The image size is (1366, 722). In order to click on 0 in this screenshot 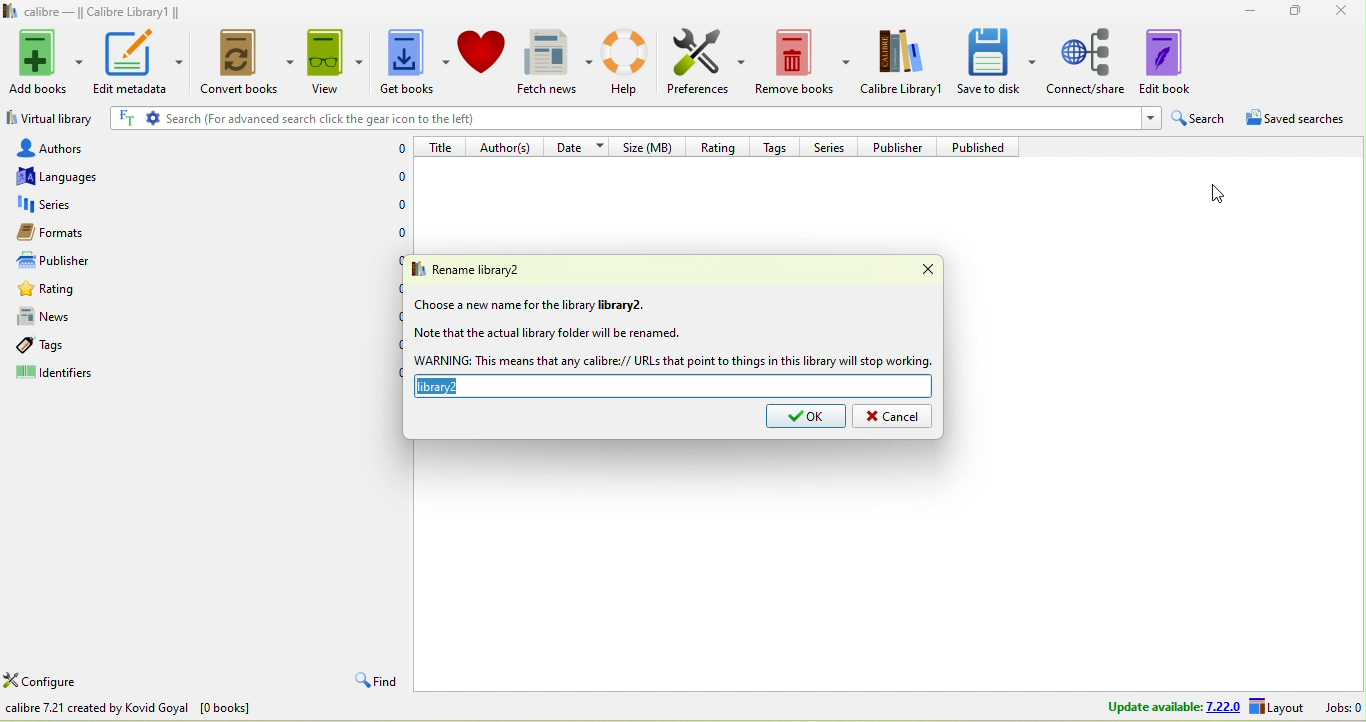, I will do `click(401, 205)`.